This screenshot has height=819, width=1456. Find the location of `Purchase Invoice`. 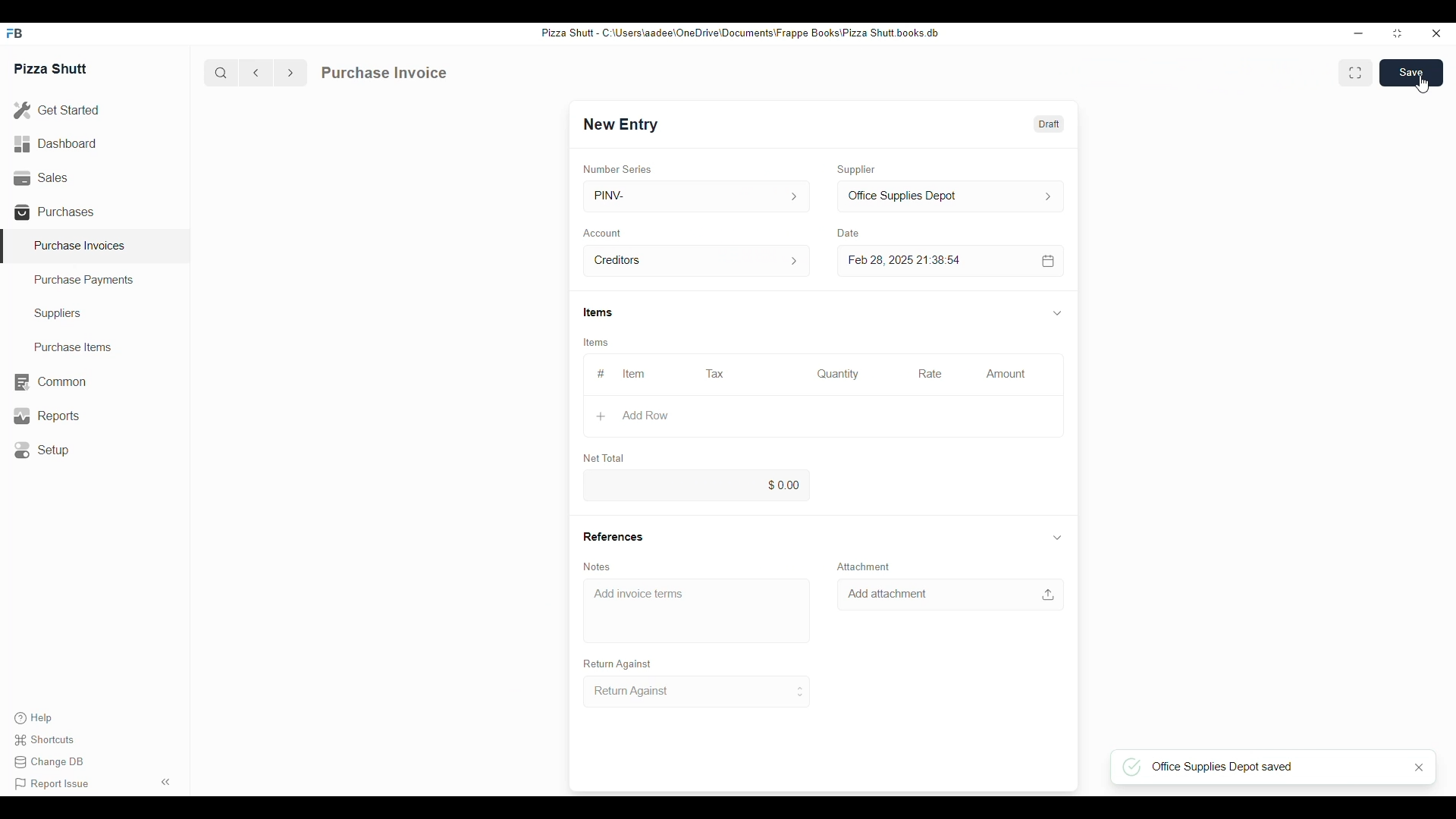

Purchase Invoice is located at coordinates (384, 73).